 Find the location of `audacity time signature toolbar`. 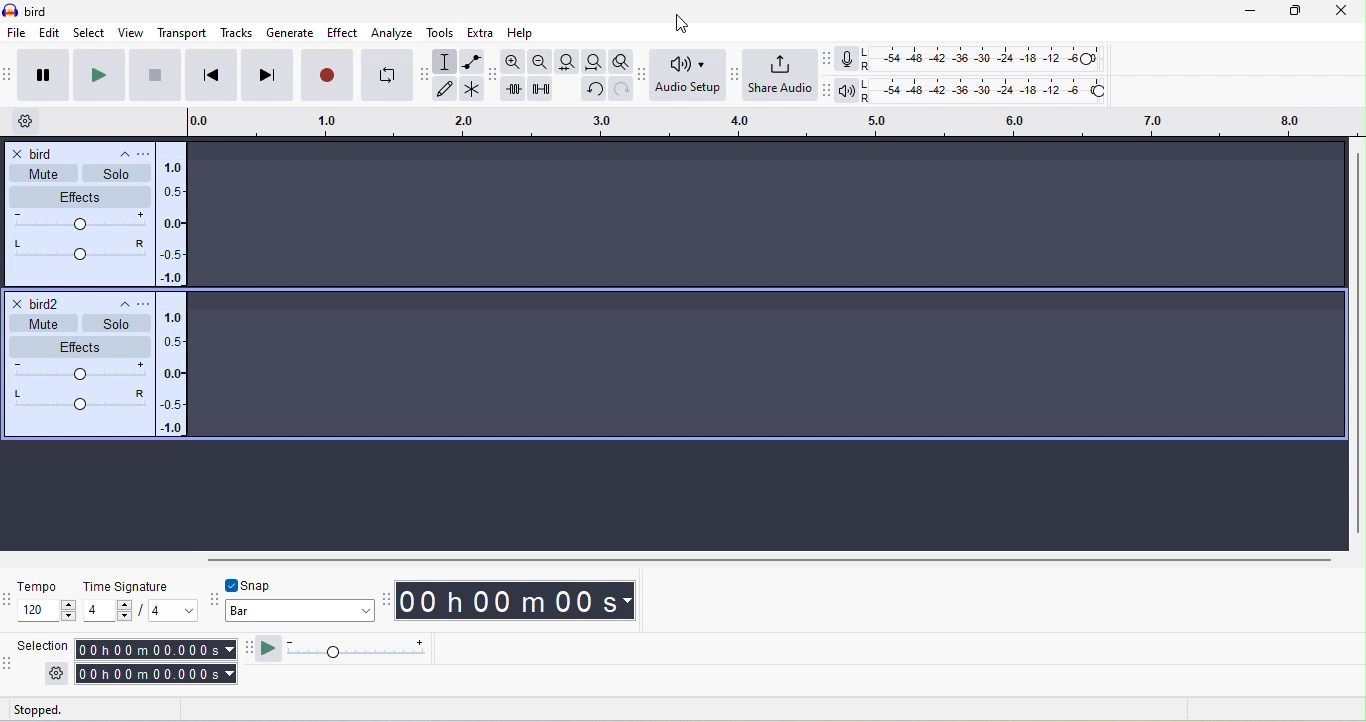

audacity time signature toolbar is located at coordinates (9, 606).